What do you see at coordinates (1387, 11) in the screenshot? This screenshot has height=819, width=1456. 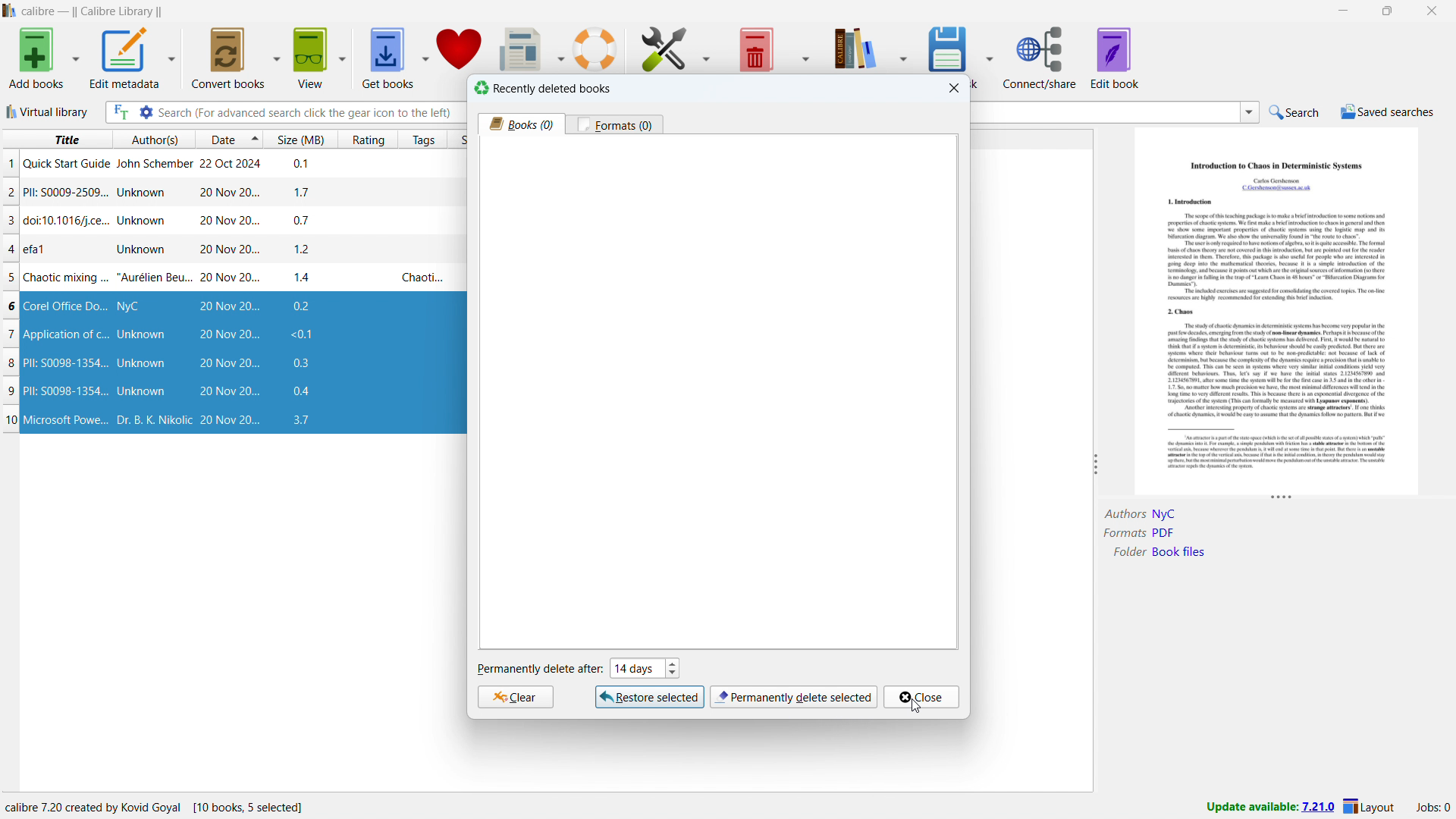 I see `maximize ` at bounding box center [1387, 11].